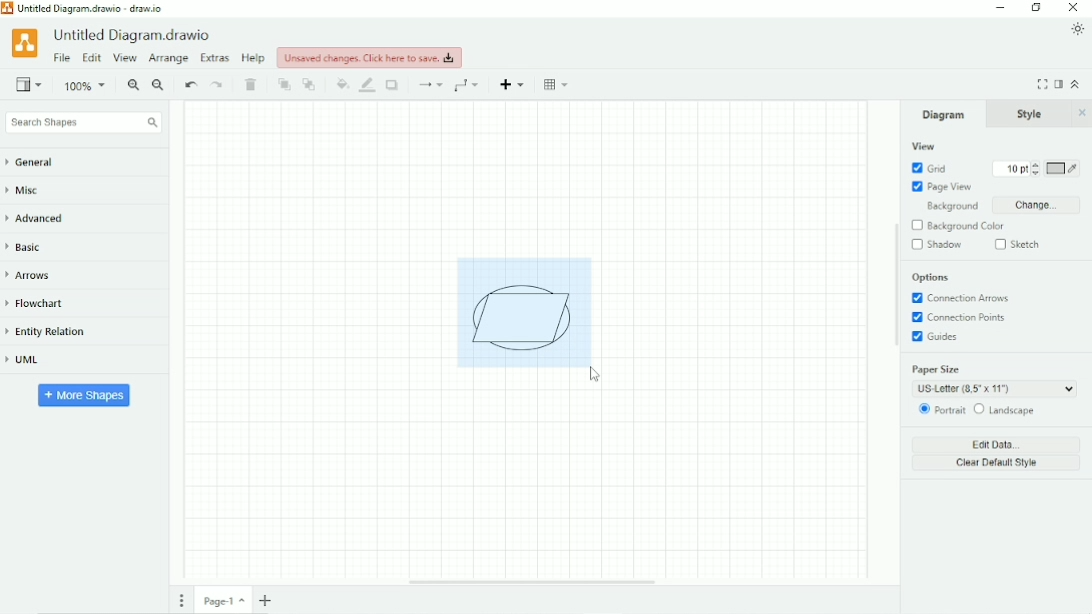  Describe the element at coordinates (597, 375) in the screenshot. I see `Cursor` at that location.